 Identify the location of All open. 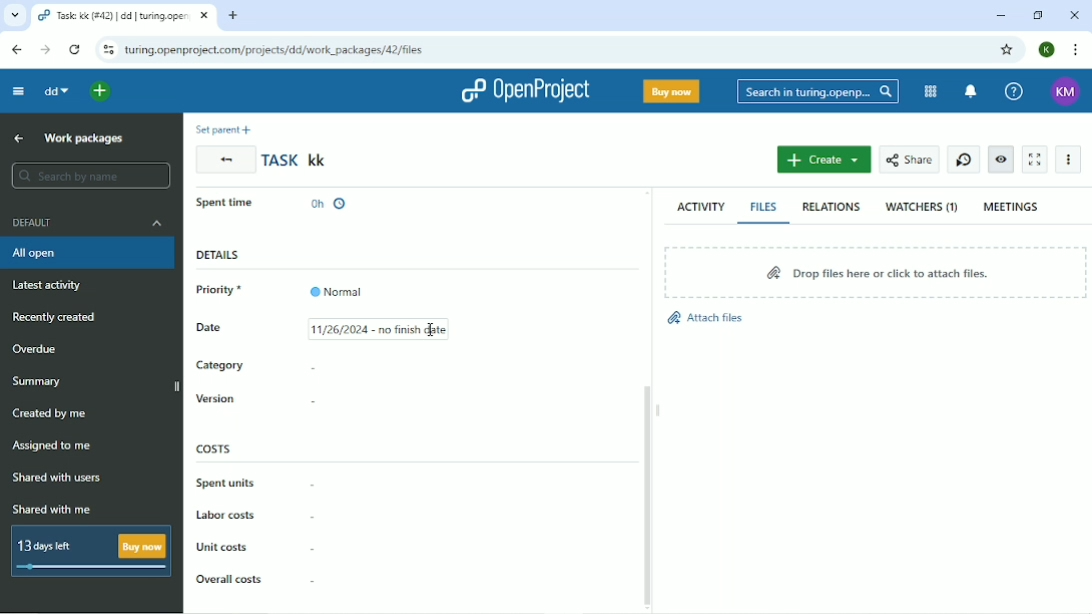
(87, 255).